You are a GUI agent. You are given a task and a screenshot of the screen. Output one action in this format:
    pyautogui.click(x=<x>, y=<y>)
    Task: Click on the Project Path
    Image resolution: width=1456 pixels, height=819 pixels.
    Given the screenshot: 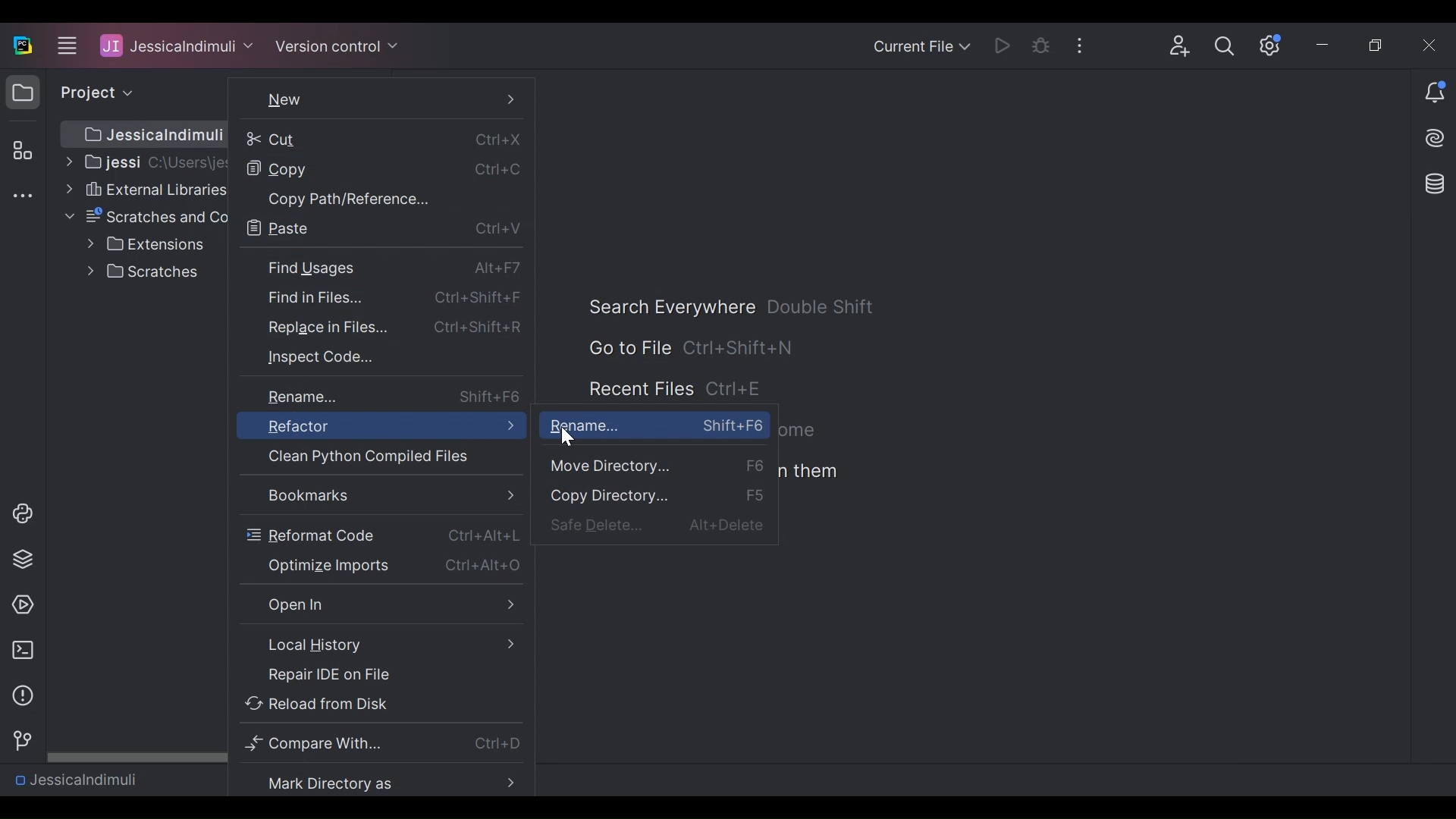 What is the action you would take?
    pyautogui.click(x=143, y=134)
    